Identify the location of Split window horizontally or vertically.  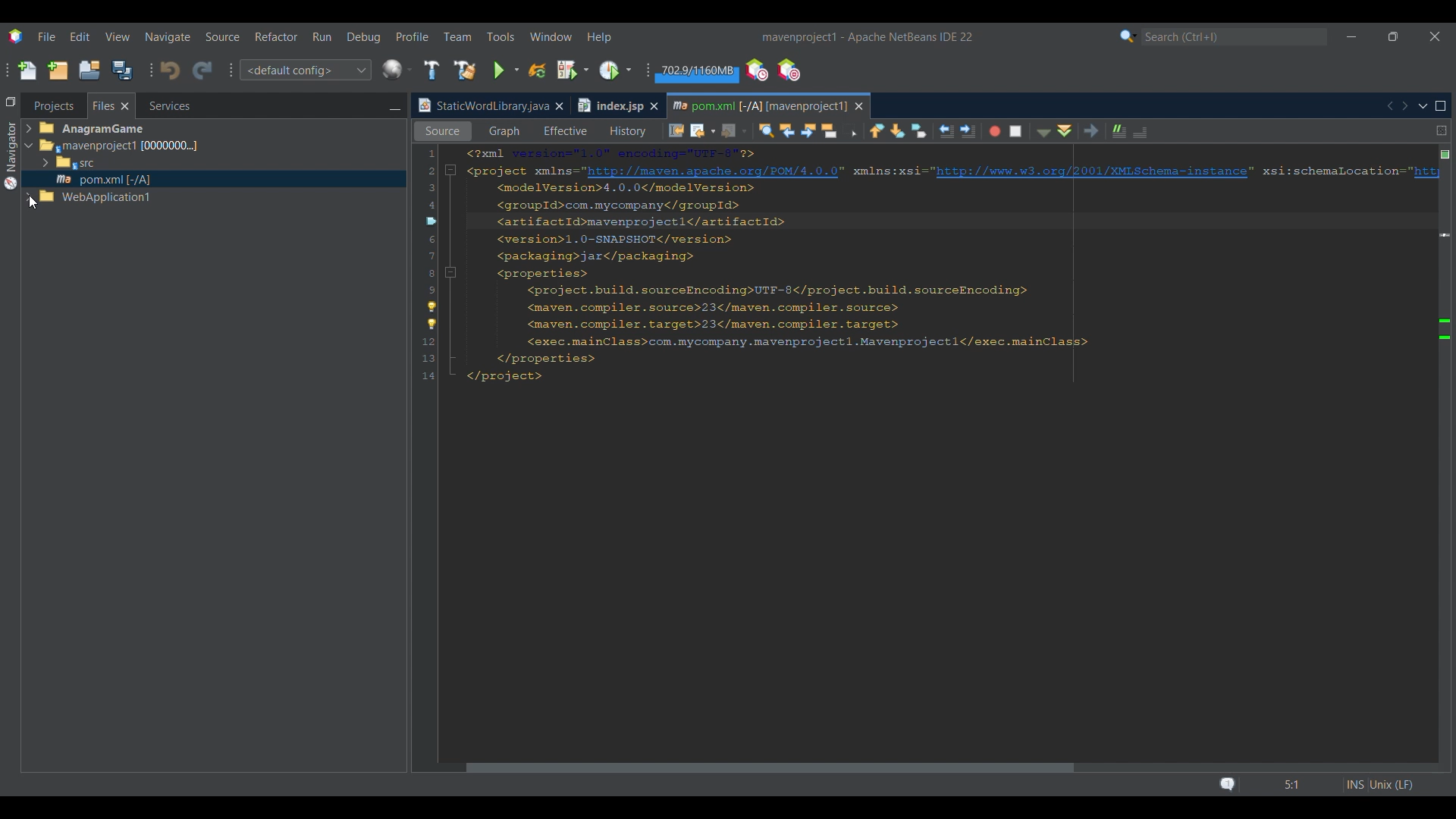
(1442, 130).